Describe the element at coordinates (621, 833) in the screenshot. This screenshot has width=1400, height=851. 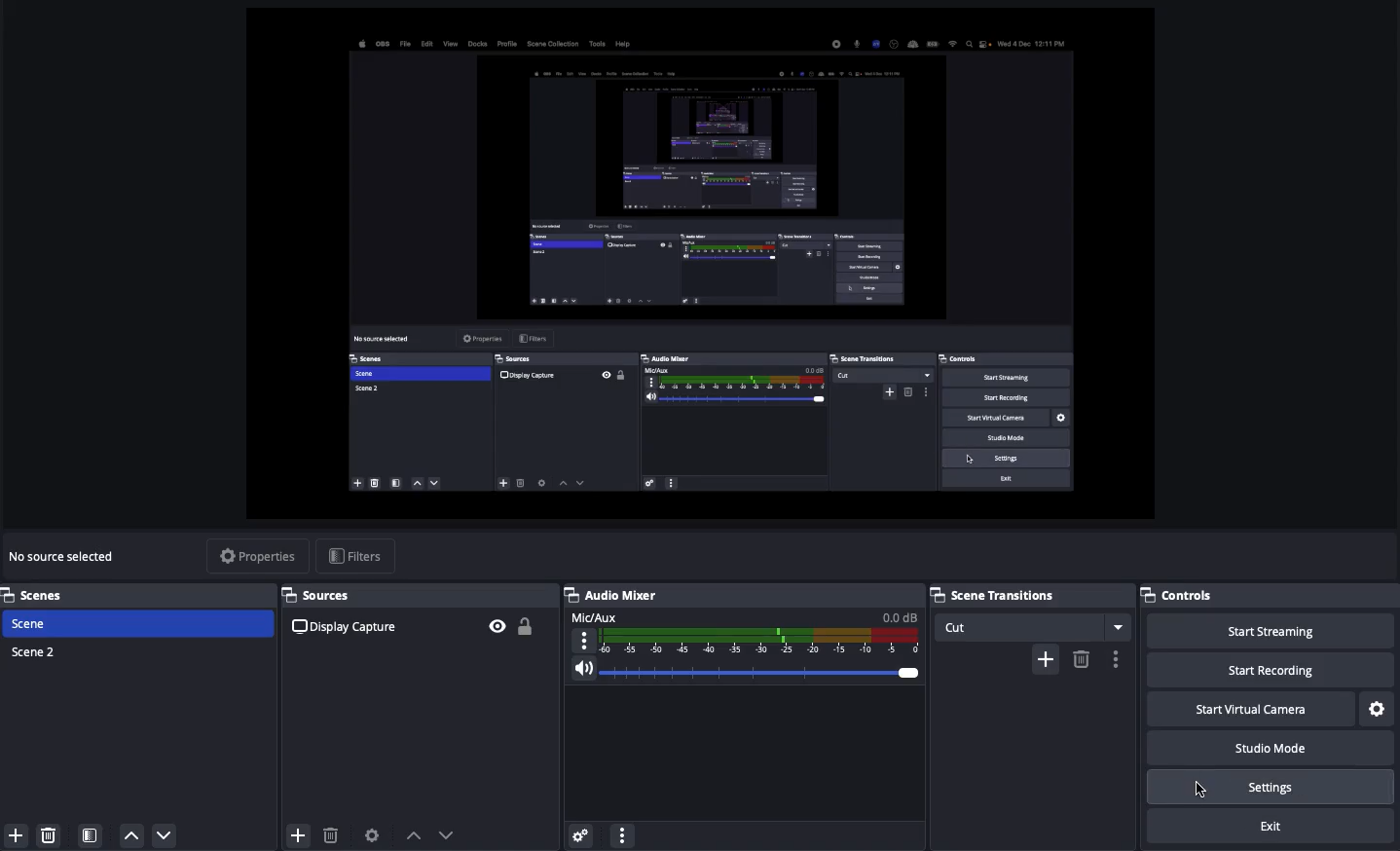
I see `More` at that location.